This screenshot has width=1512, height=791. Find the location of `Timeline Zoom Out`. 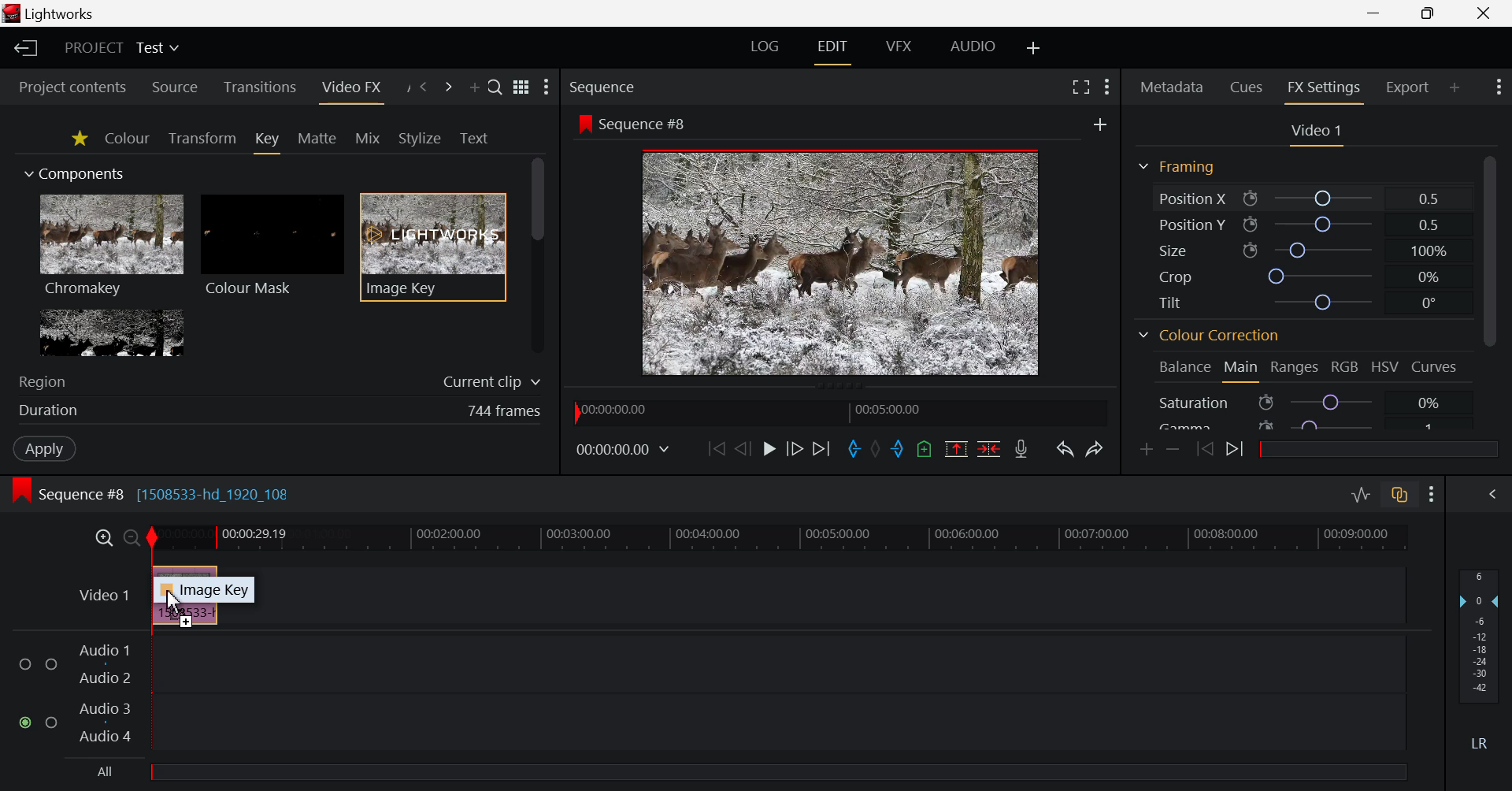

Timeline Zoom Out is located at coordinates (128, 538).